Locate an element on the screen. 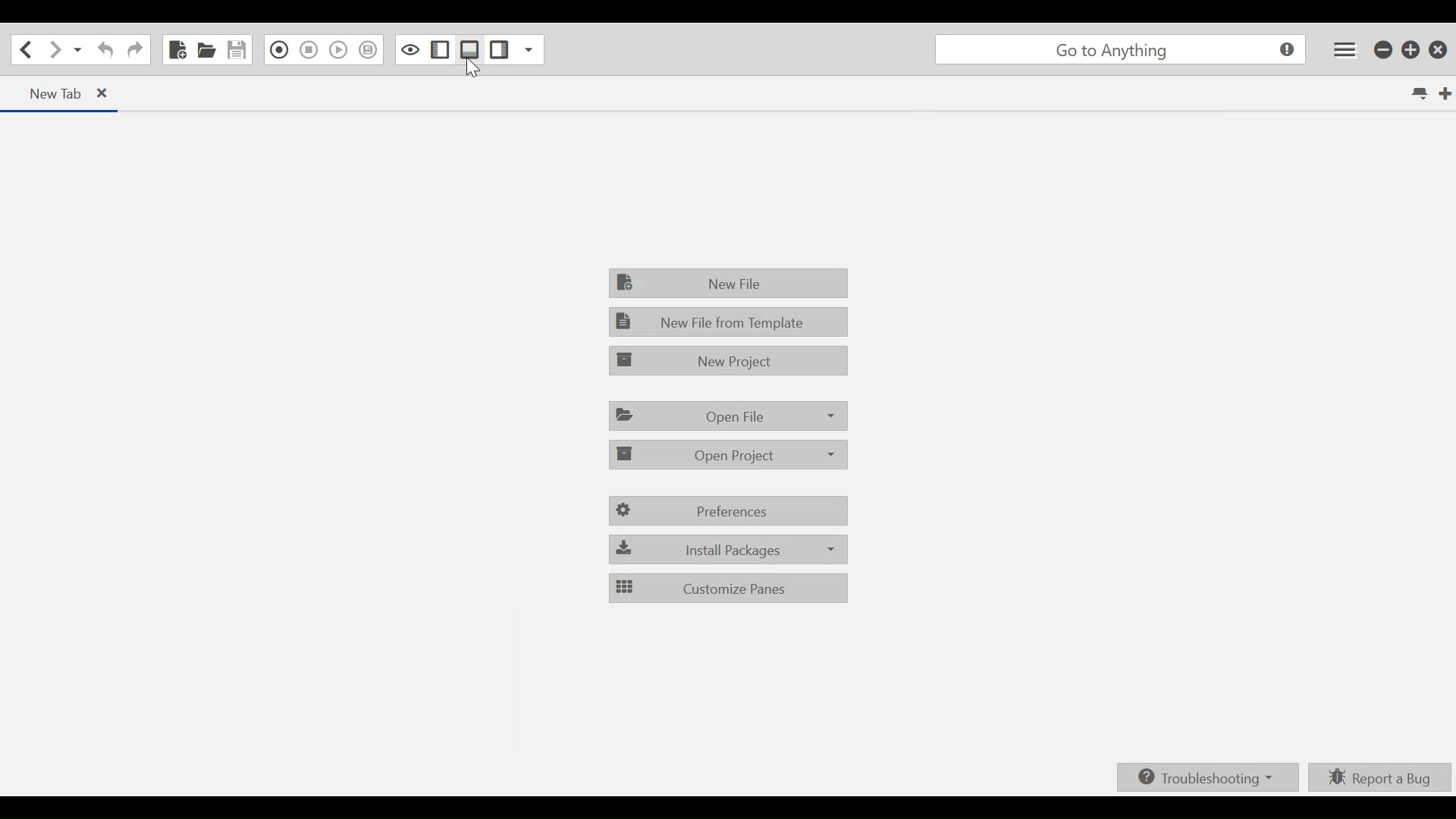  Save File is located at coordinates (237, 49).